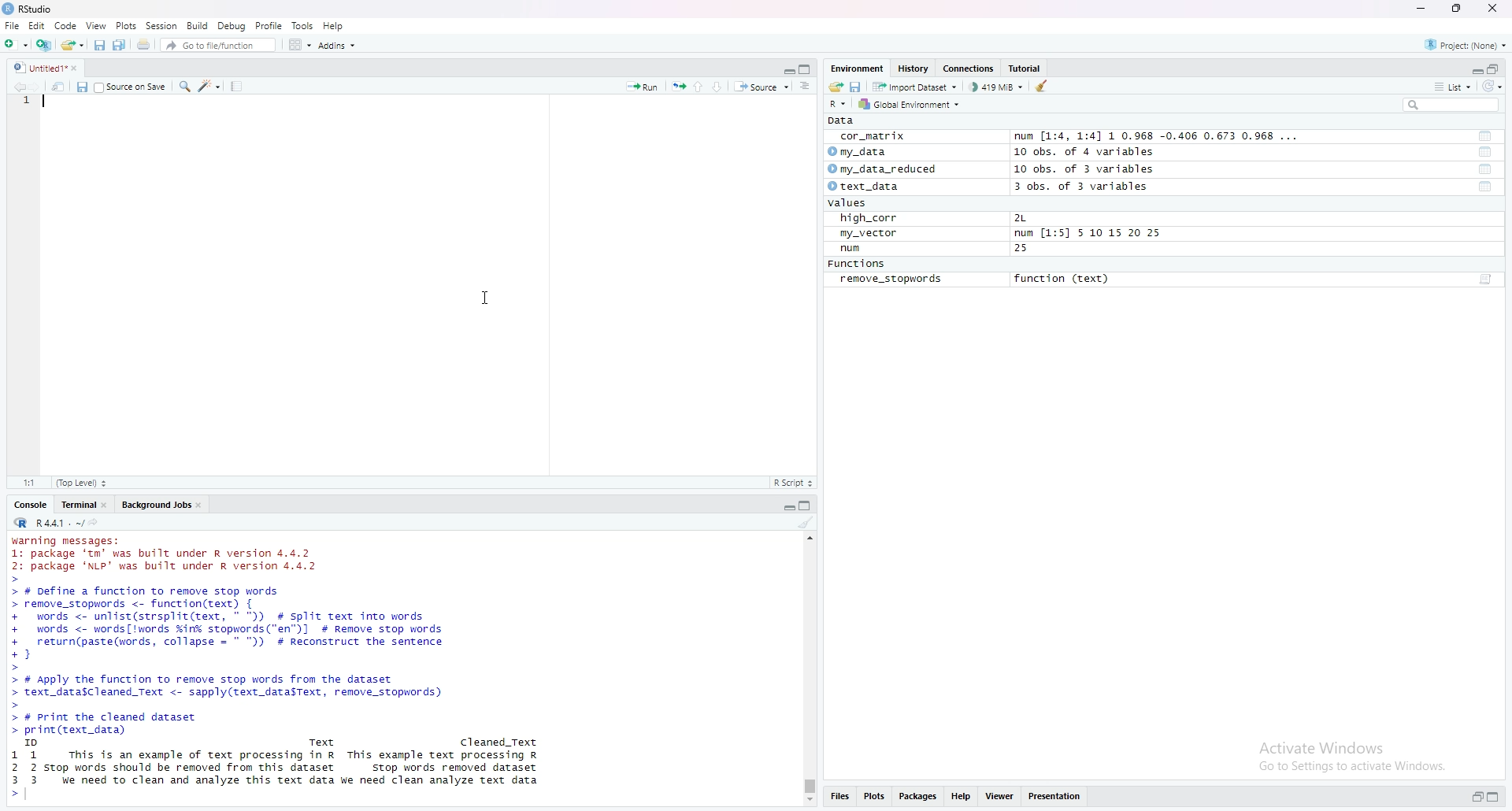  What do you see at coordinates (847, 203) in the screenshot?
I see `values` at bounding box center [847, 203].